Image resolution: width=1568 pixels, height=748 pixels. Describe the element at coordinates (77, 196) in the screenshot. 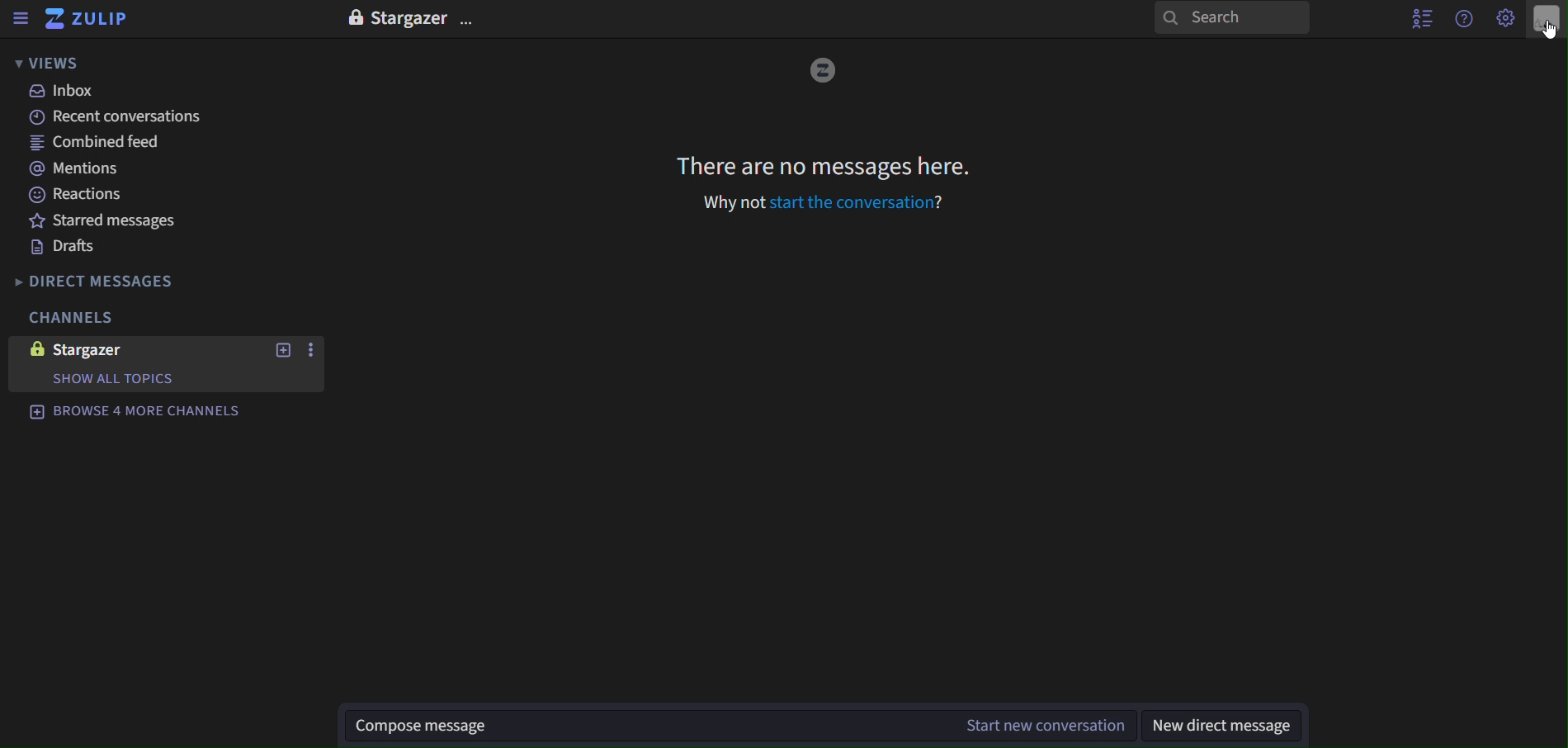

I see `reactions` at that location.